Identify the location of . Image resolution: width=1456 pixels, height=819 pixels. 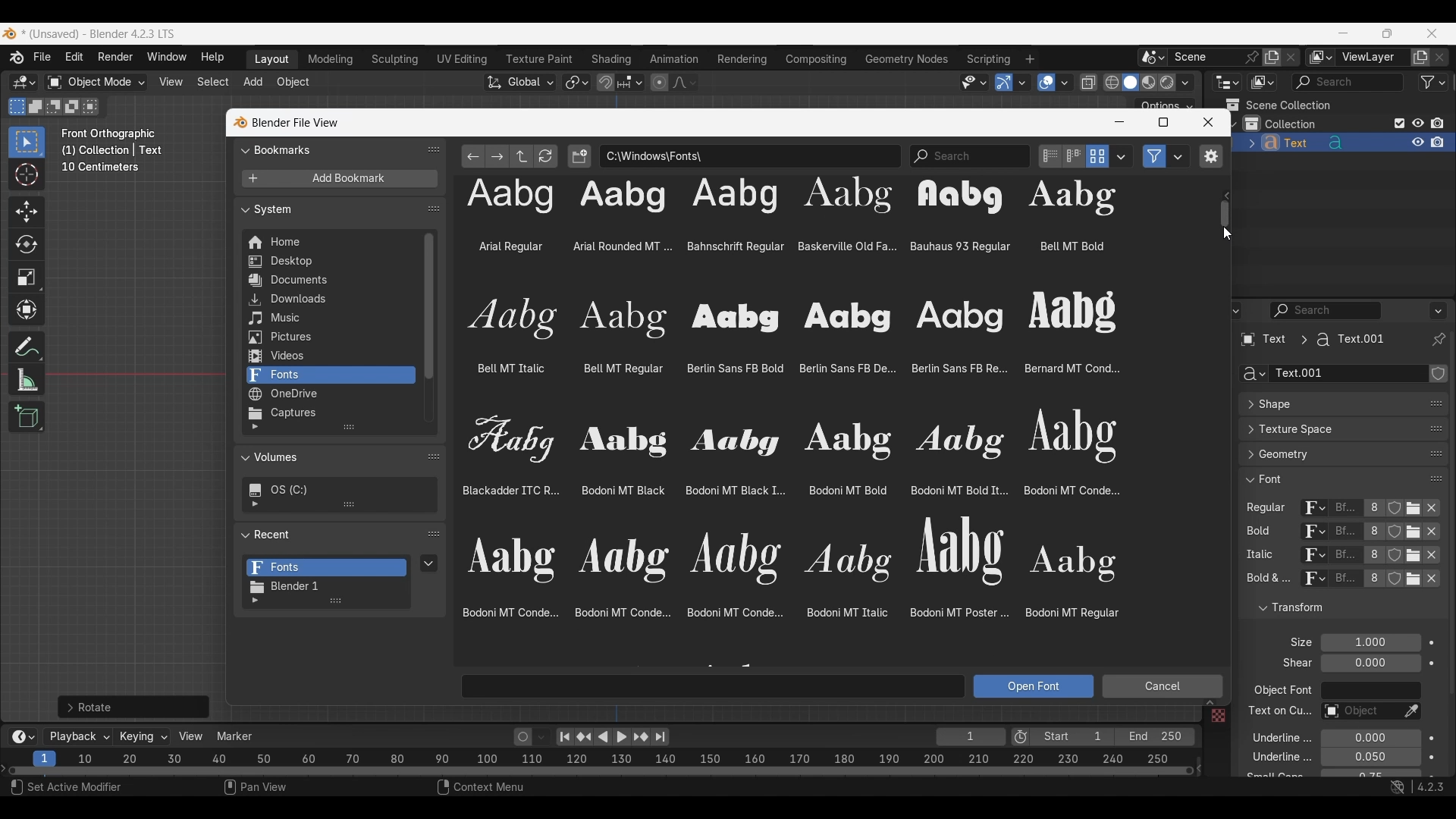
(1311, 557).